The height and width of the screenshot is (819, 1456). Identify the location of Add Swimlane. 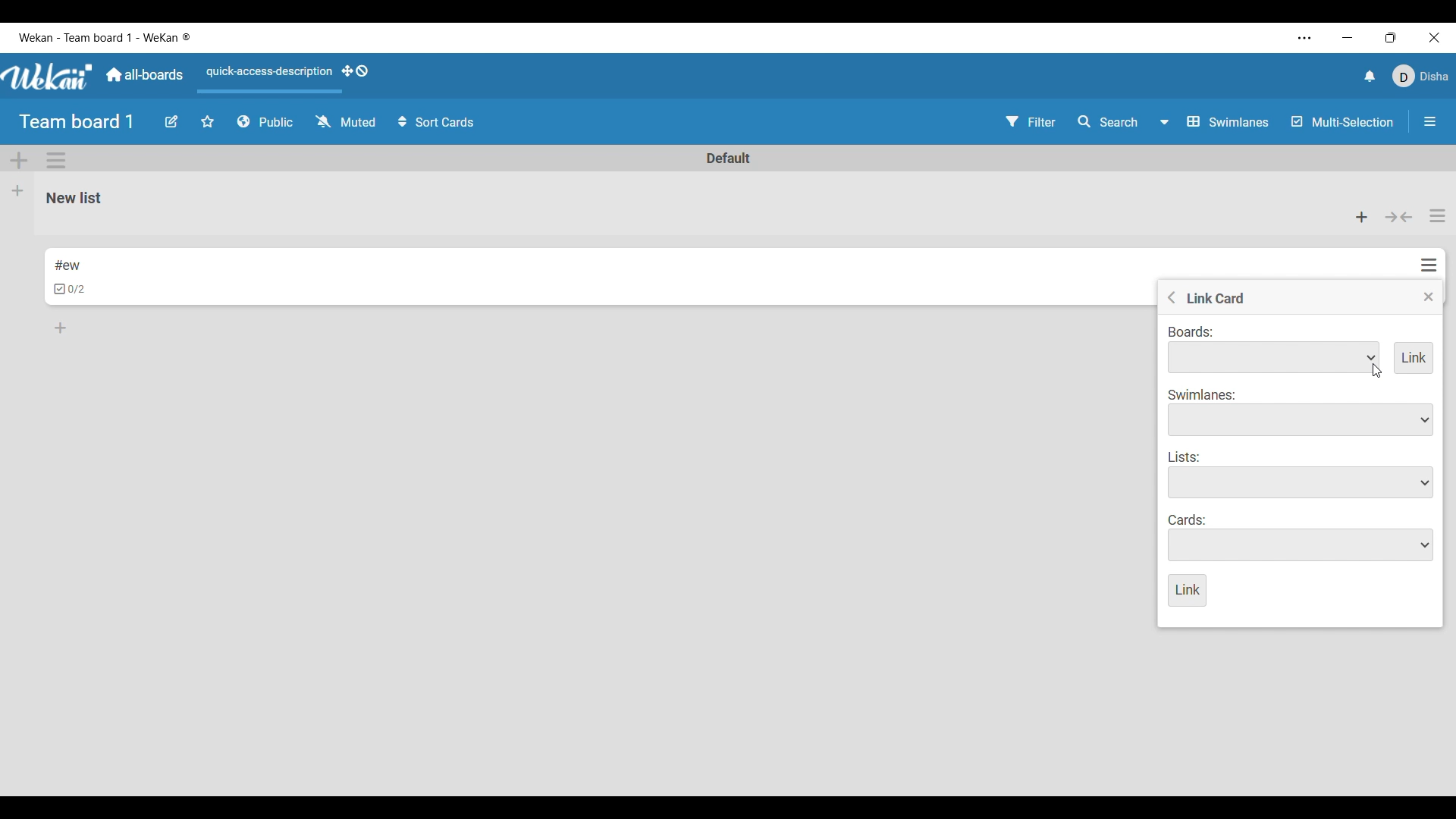
(20, 161).